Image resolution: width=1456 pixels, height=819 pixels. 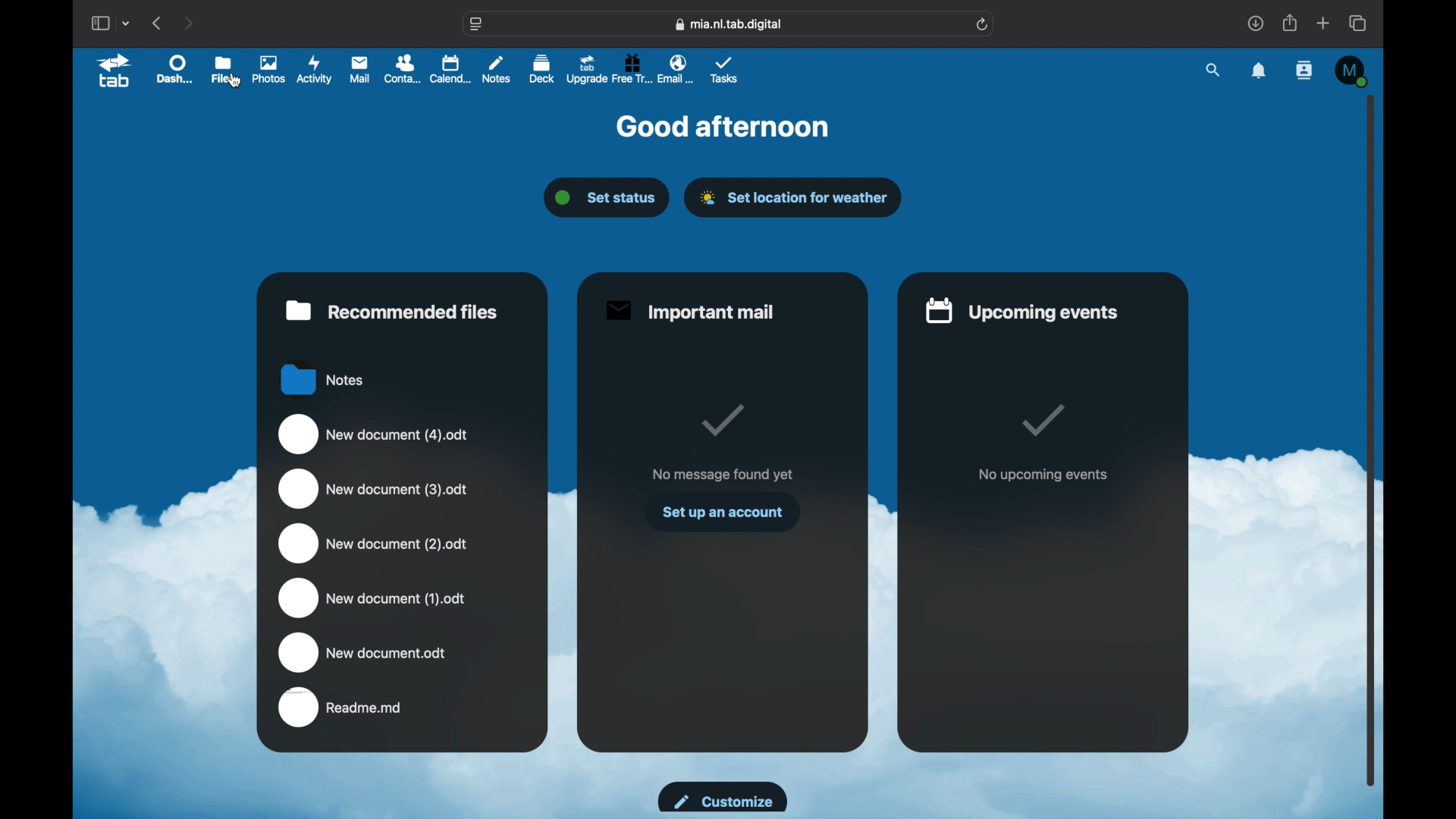 What do you see at coordinates (343, 708) in the screenshot?
I see `readme.md` at bounding box center [343, 708].